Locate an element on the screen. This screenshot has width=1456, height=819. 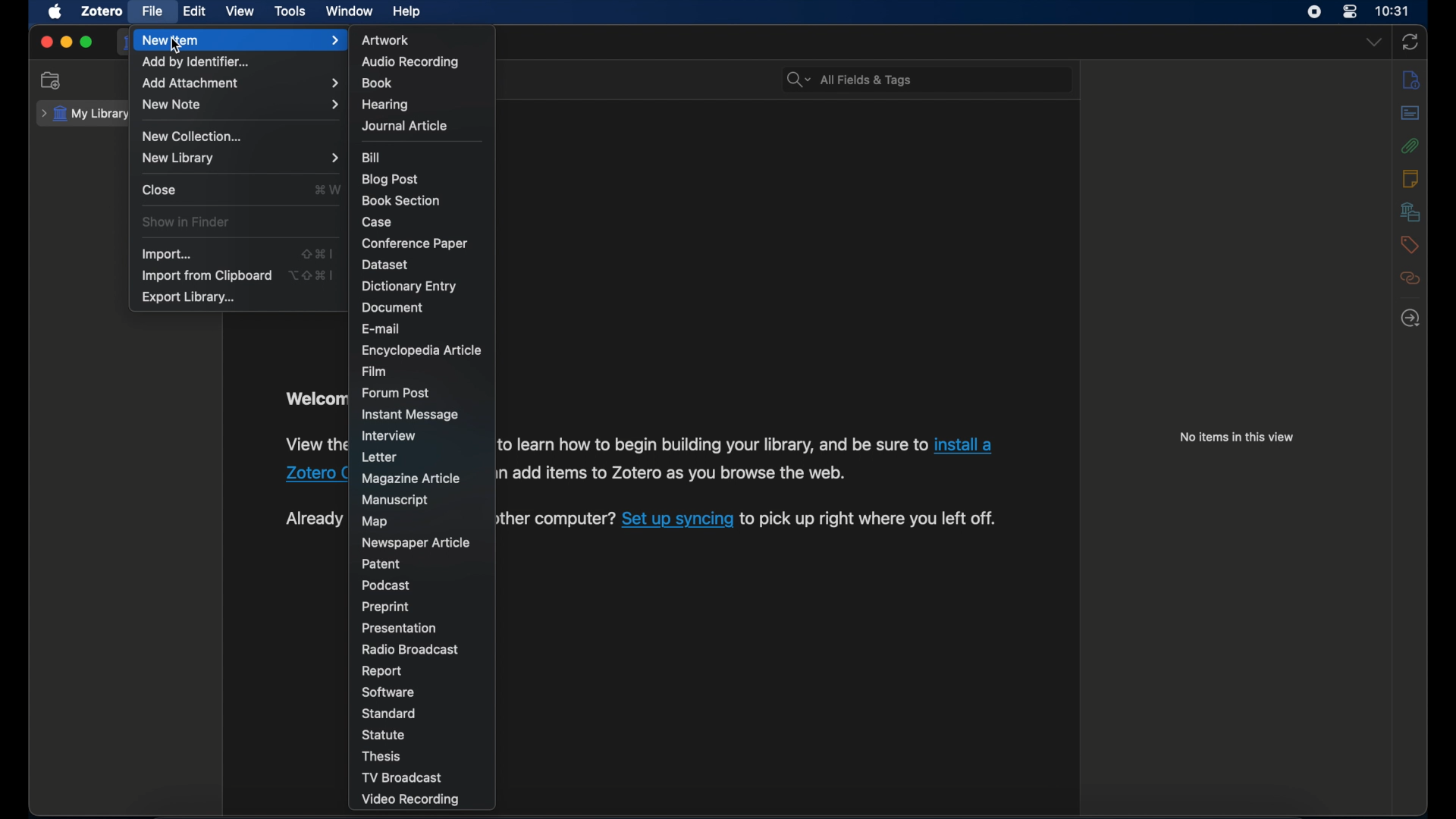
abstract is located at coordinates (1410, 113).